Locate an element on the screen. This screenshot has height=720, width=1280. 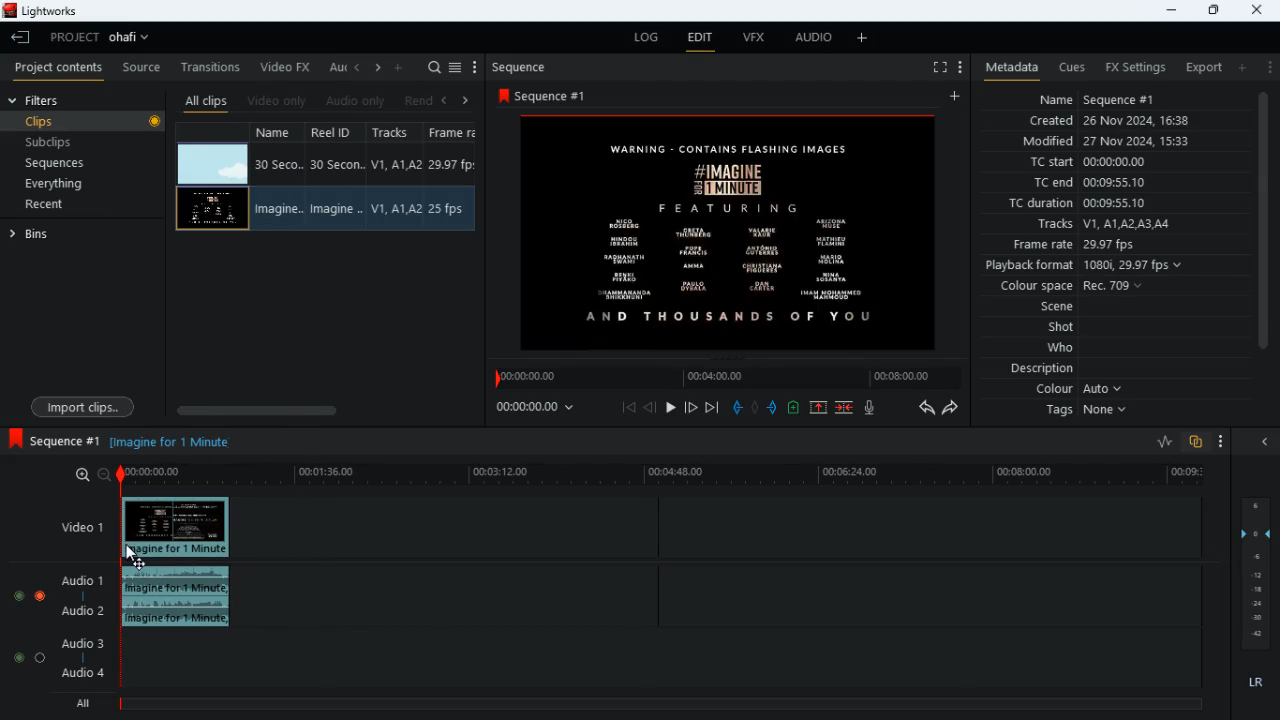
up is located at coordinates (793, 409).